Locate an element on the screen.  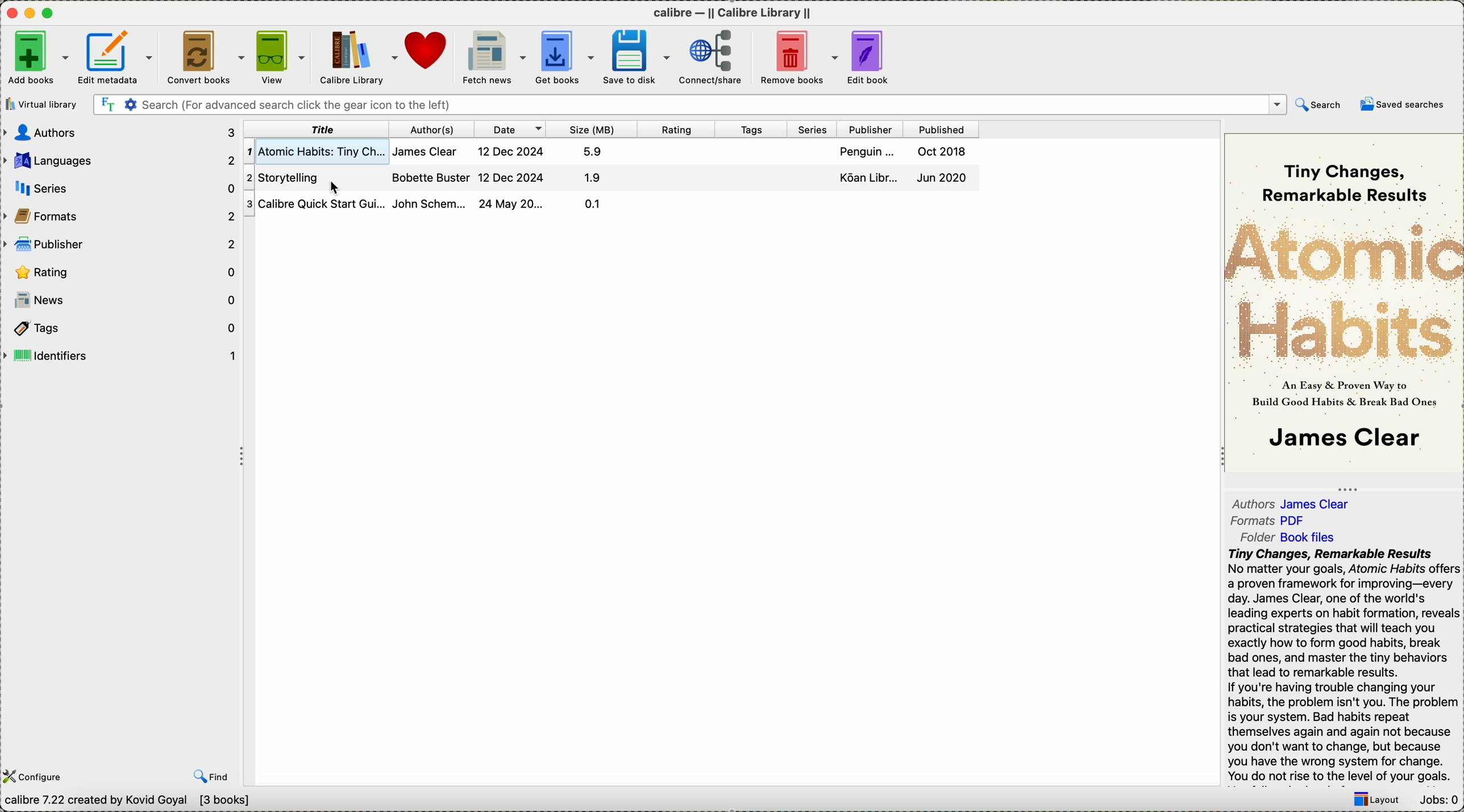
synopsis is located at coordinates (1344, 667).